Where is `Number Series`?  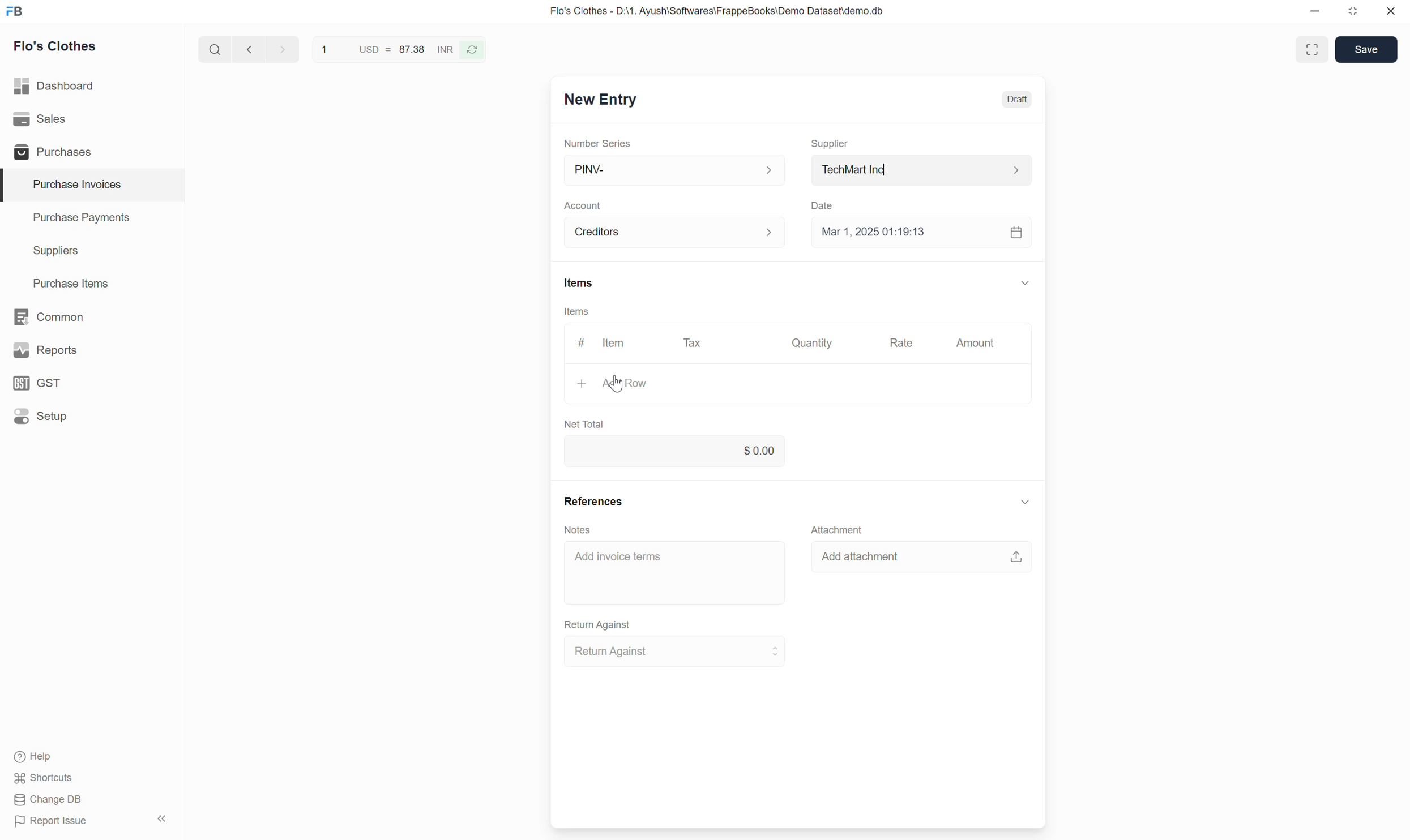
Number Series is located at coordinates (595, 141).